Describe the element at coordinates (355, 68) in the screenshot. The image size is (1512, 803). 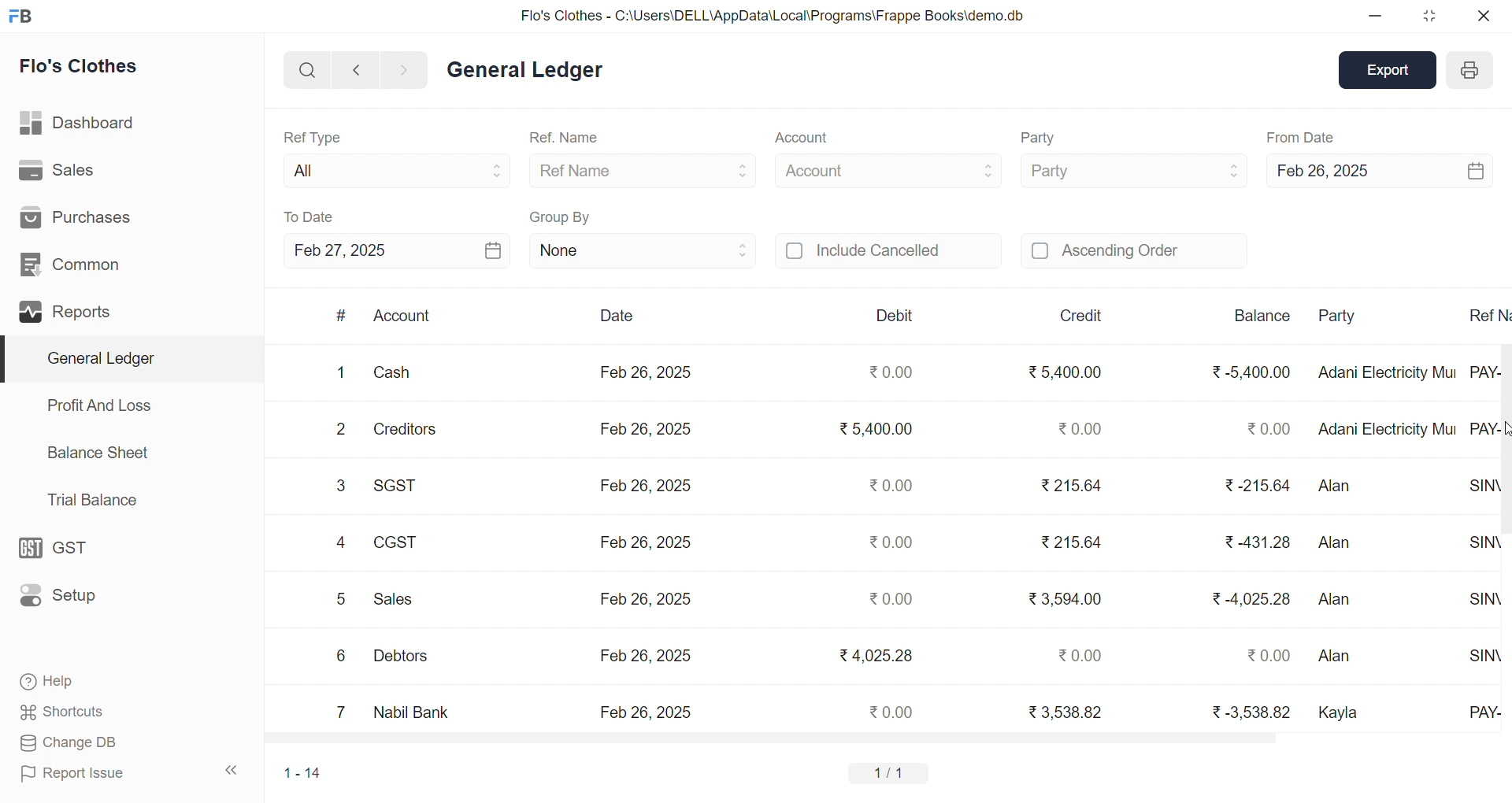
I see `NAVIGATE BACKWARD` at that location.